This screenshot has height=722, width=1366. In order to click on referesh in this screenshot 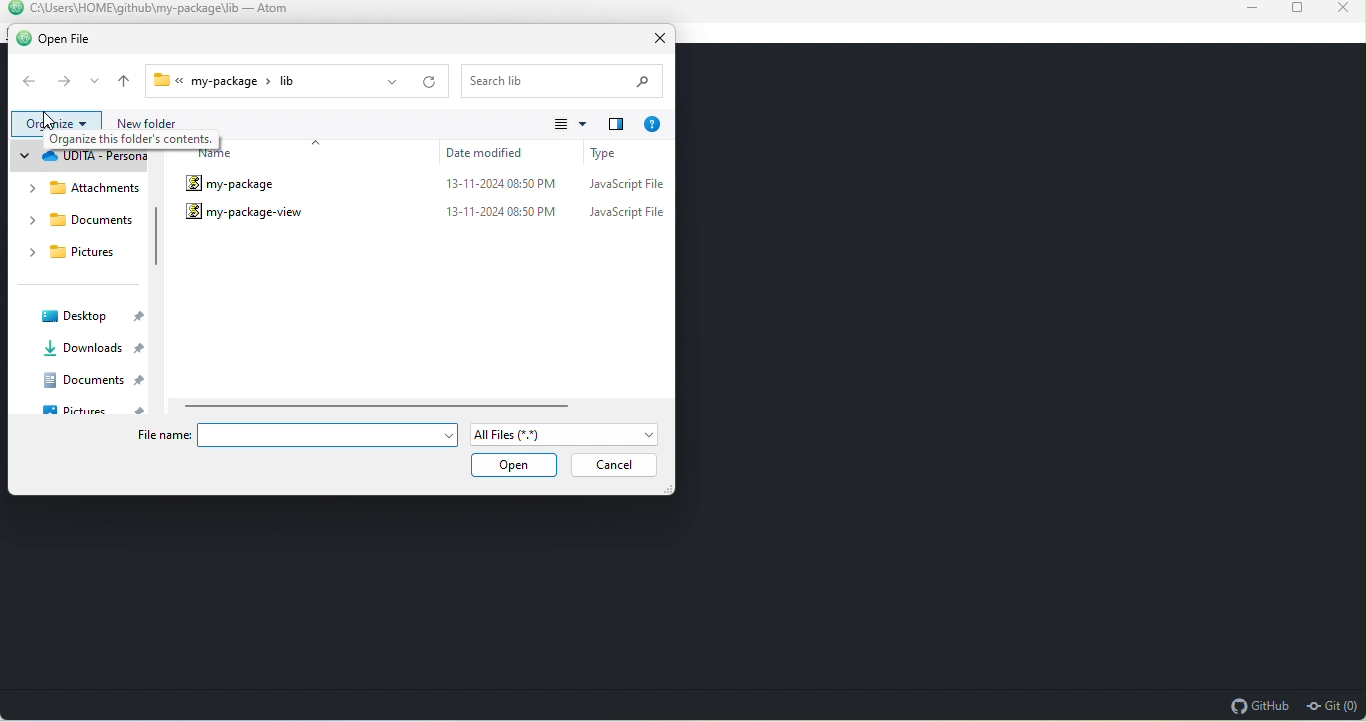, I will do `click(429, 84)`.